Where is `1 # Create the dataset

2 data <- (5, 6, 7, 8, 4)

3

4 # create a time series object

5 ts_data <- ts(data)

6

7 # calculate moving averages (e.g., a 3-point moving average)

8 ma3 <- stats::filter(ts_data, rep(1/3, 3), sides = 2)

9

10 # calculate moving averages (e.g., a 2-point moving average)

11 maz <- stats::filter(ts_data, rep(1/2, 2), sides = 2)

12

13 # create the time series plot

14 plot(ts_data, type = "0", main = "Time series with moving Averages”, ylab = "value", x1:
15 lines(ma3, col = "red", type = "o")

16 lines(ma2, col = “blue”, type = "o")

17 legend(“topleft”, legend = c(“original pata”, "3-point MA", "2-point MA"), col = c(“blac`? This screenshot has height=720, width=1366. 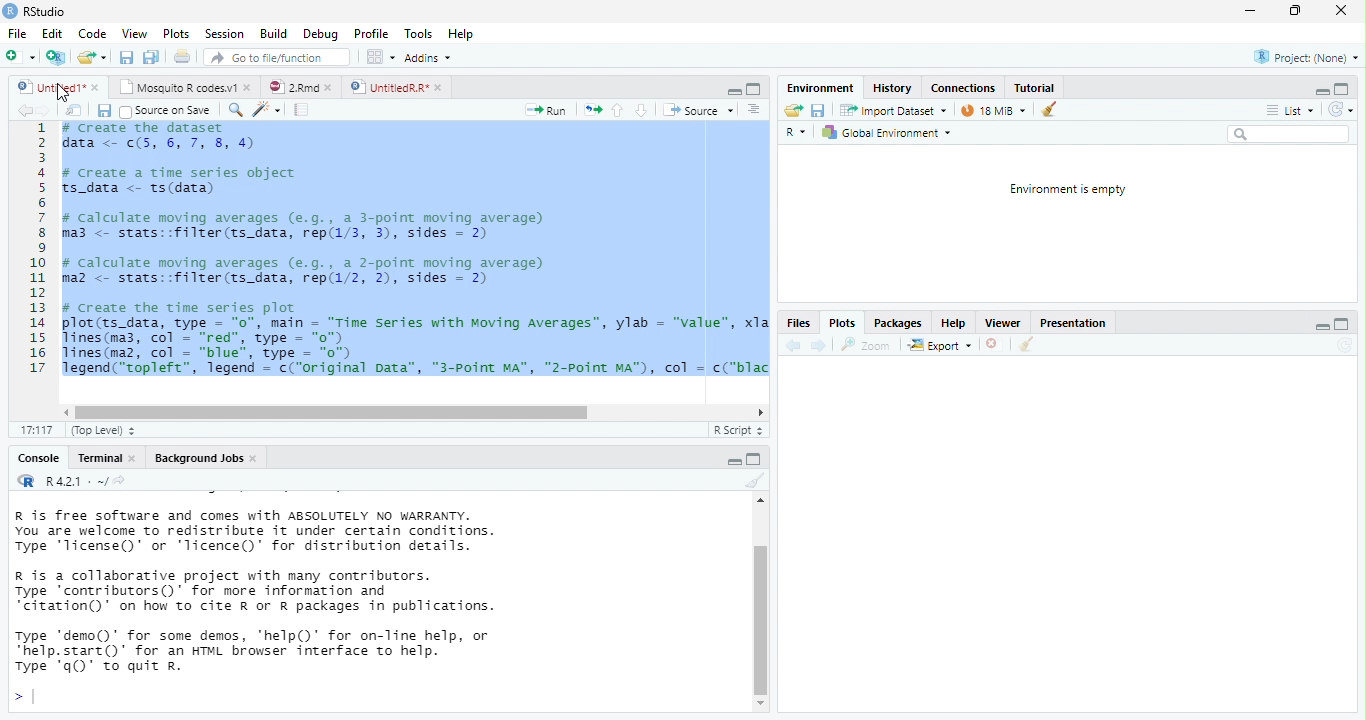 1 # Create the dataset

2 data <- (5, 6, 7, 8, 4)

3

4 # create a time series object

5 ts_data <- ts(data)

6

7 # calculate moving averages (e.g., a 3-point moving average)

8 ma3 <- stats::filter(ts_data, rep(1/3, 3), sides = 2)

9

10 # calculate moving averages (e.g., a 2-point moving average)

11 maz <- stats::filter(ts_data, rep(1/2, 2), sides = 2)

12

13 # create the time series plot

14 plot(ts_data, type = "0", main = "Time series with moving Averages”, ylab = "value", x1:
15 lines(ma3, col = "red", type = "o")

16 lines(ma2, col = “blue”, type = "o")

17 legend(“topleft”, legend = c(“original pata”, "3-point MA", "2-point MA"), col = c(“blac is located at coordinates (396, 255).